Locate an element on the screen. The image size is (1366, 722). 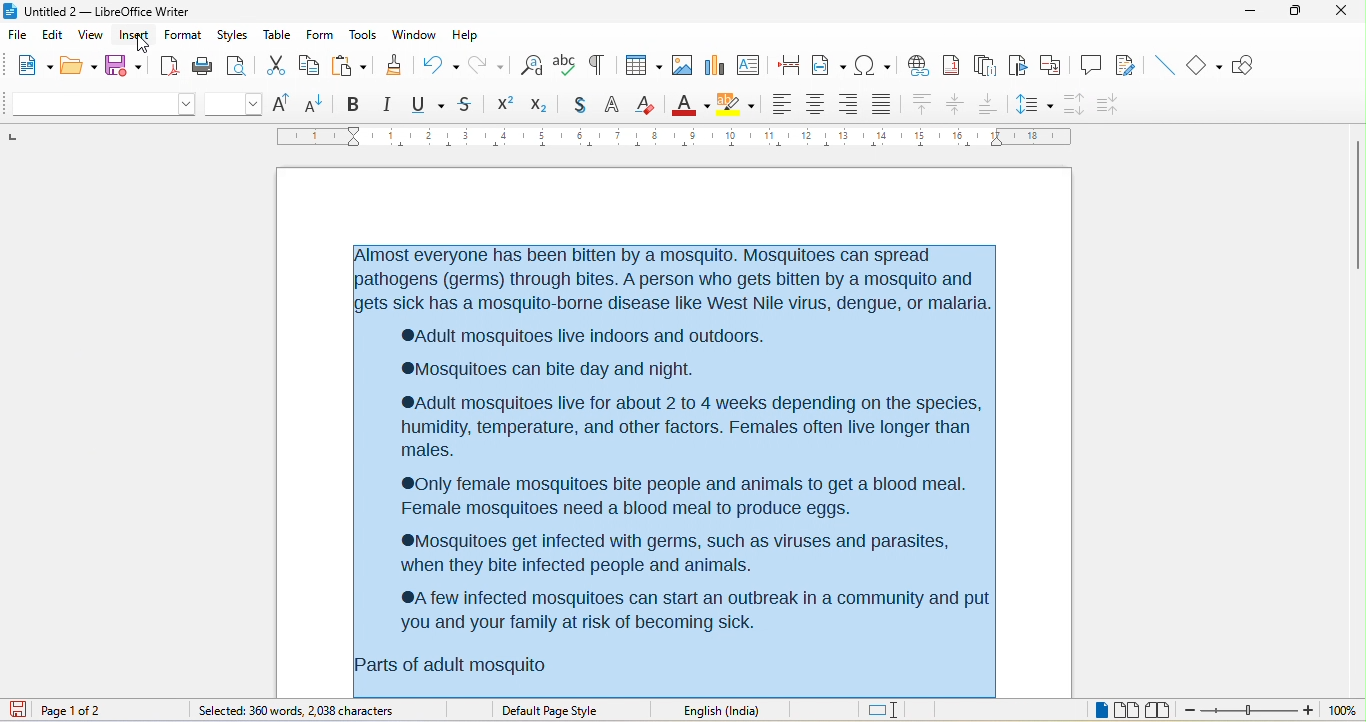
open is located at coordinates (78, 64).